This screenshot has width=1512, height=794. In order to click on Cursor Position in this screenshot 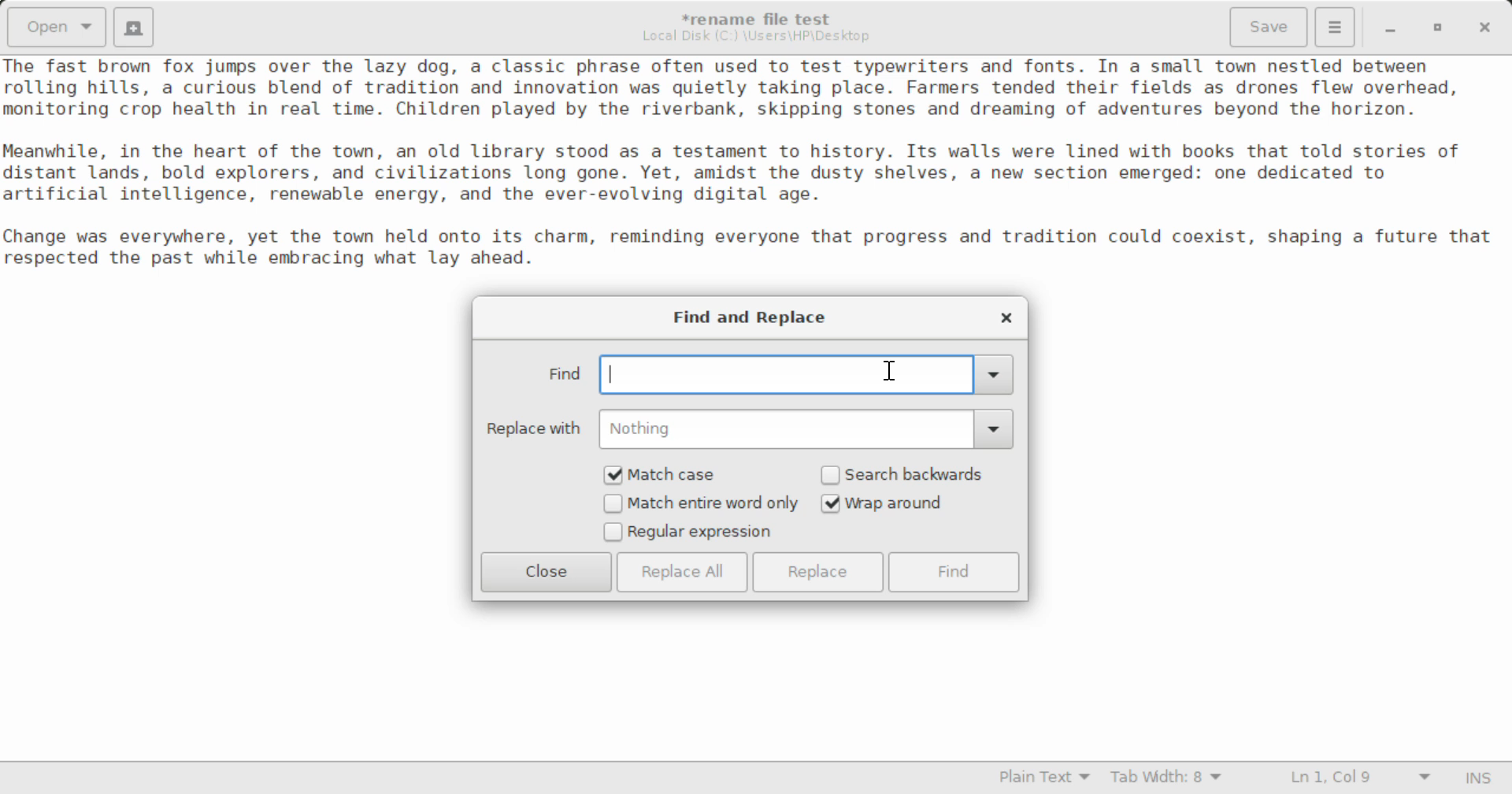, I will do `click(890, 369)`.